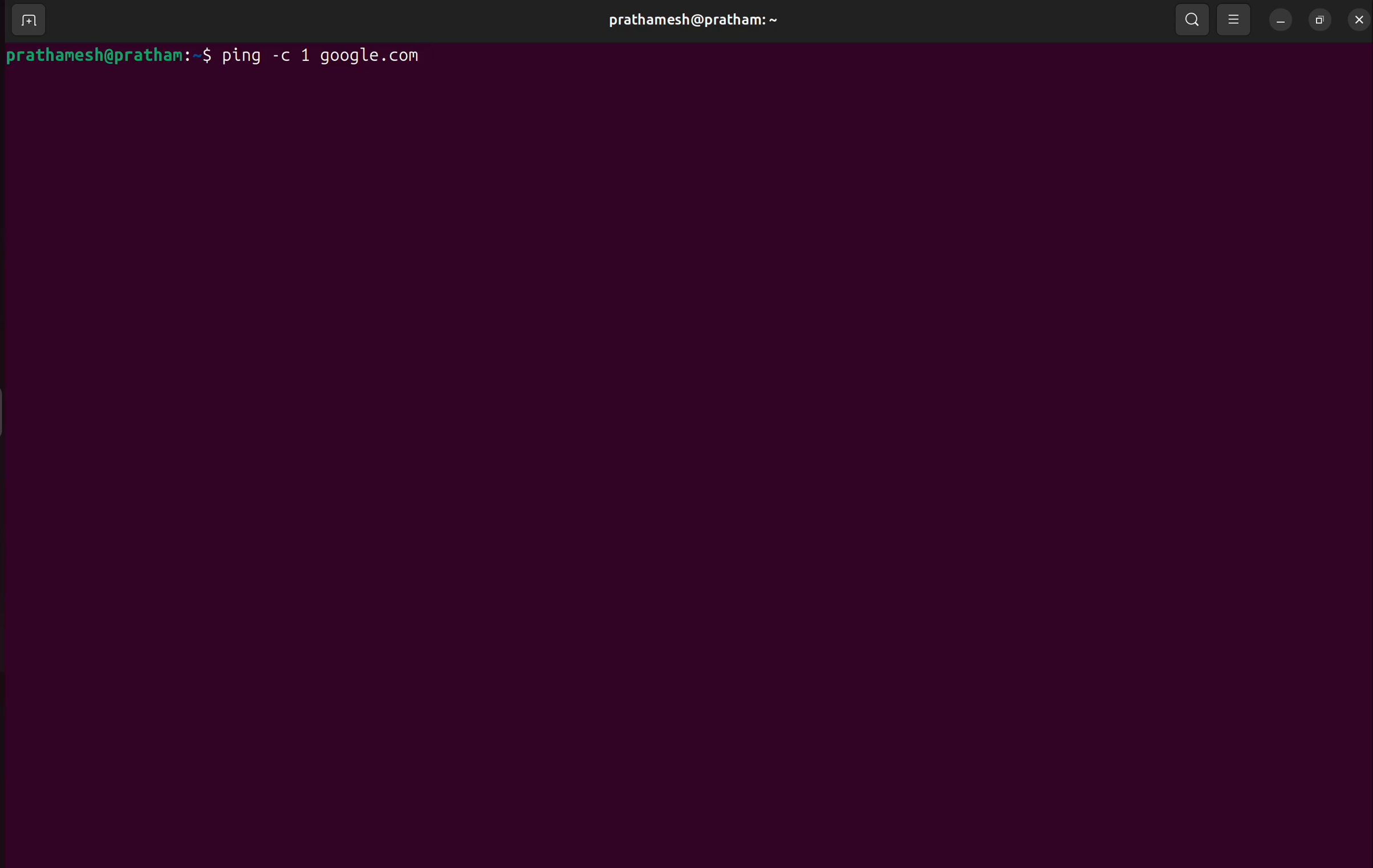  What do you see at coordinates (1358, 17) in the screenshot?
I see `close` at bounding box center [1358, 17].